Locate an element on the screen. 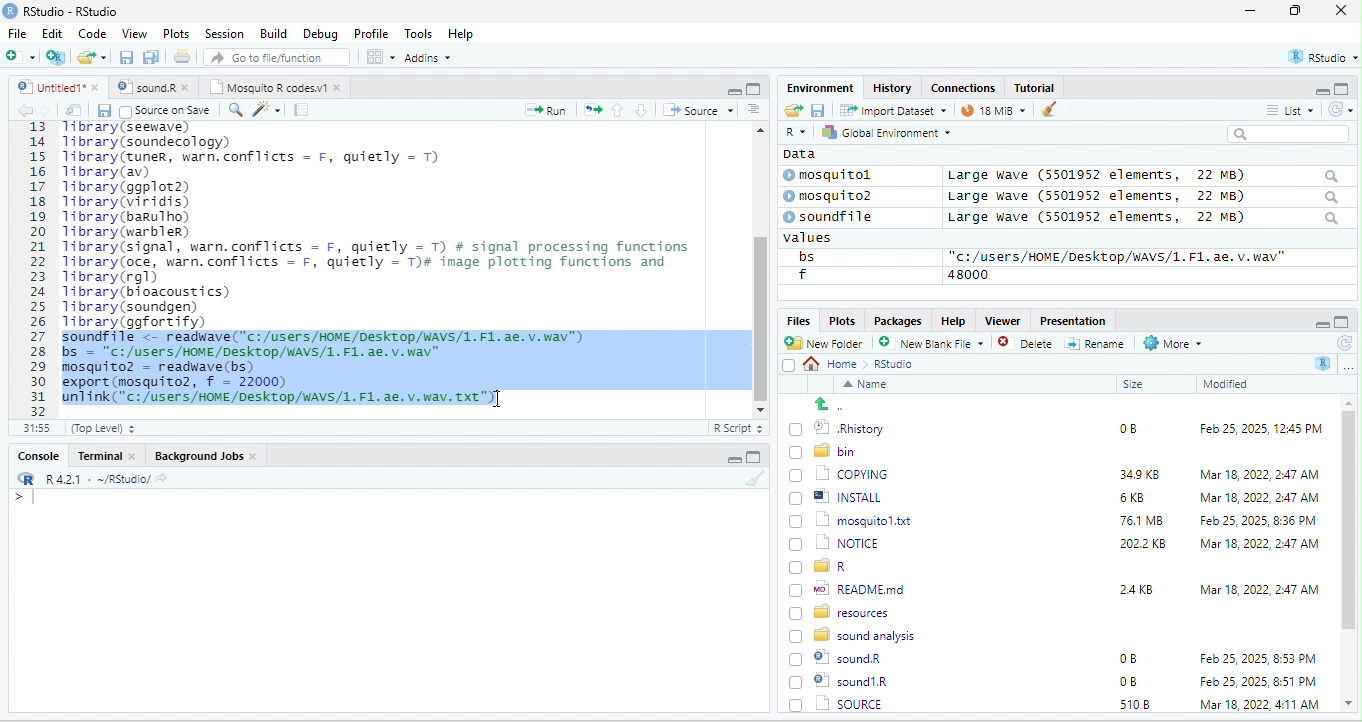 The width and height of the screenshot is (1362, 722). go back is located at coordinates (837, 404).